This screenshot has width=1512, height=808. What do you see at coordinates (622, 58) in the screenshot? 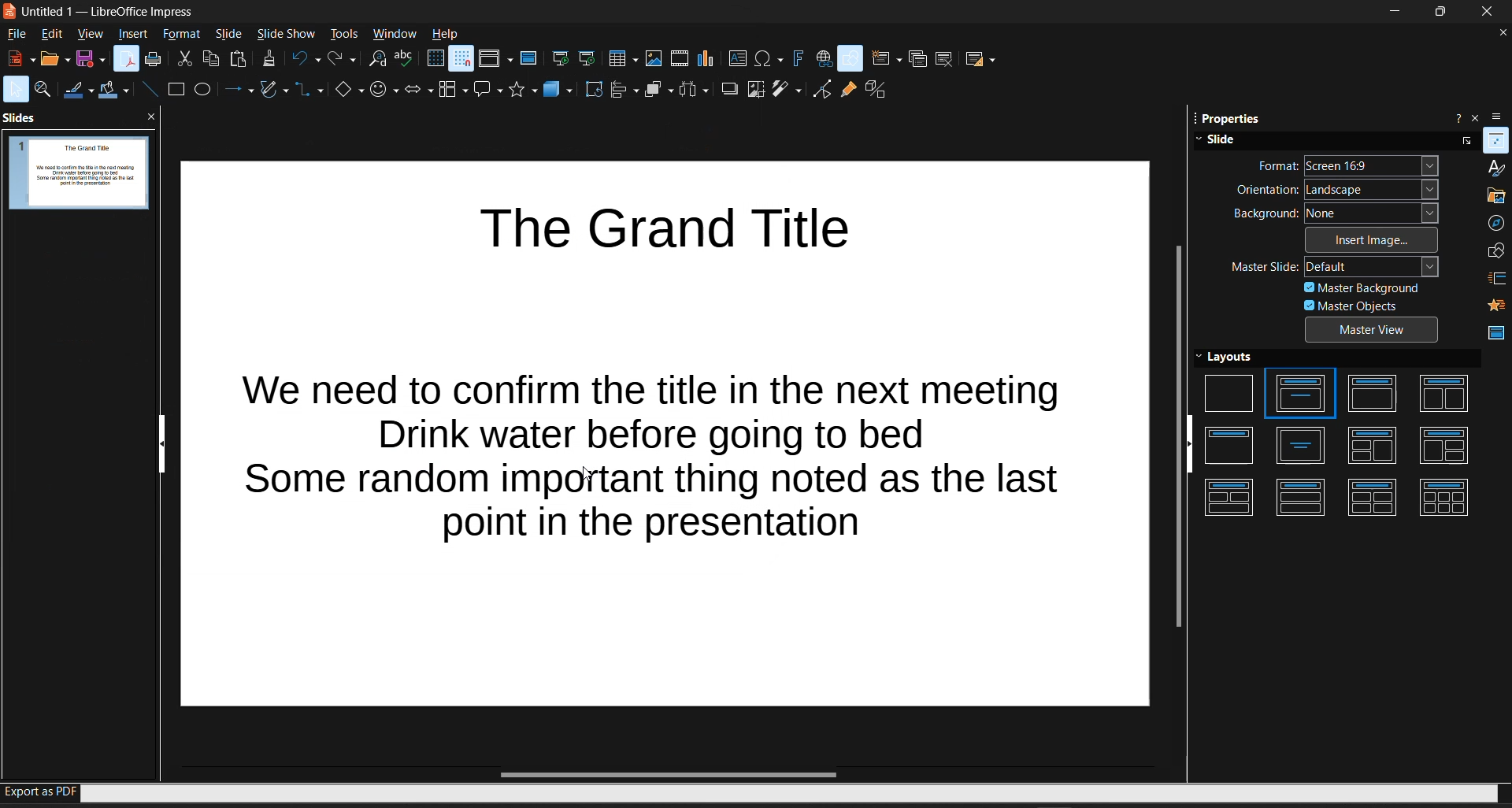
I see `table` at bounding box center [622, 58].